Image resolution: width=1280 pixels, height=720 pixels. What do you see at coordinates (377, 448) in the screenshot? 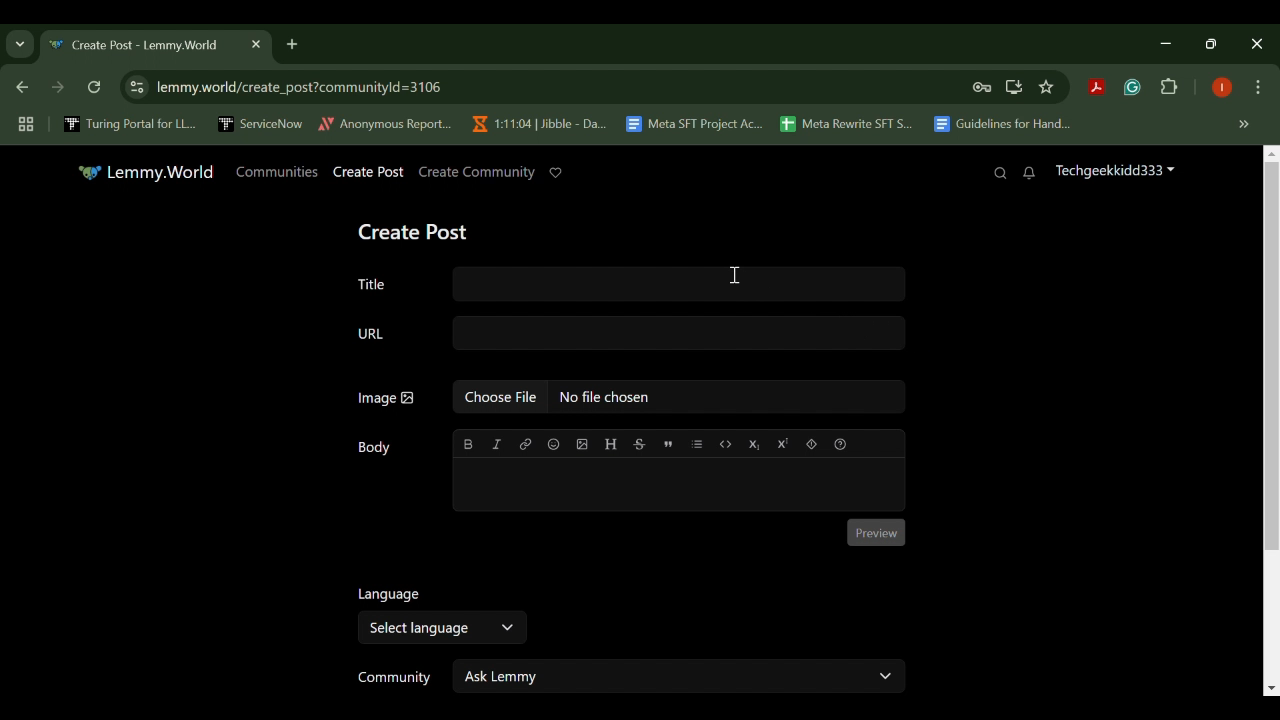
I see `Body` at bounding box center [377, 448].